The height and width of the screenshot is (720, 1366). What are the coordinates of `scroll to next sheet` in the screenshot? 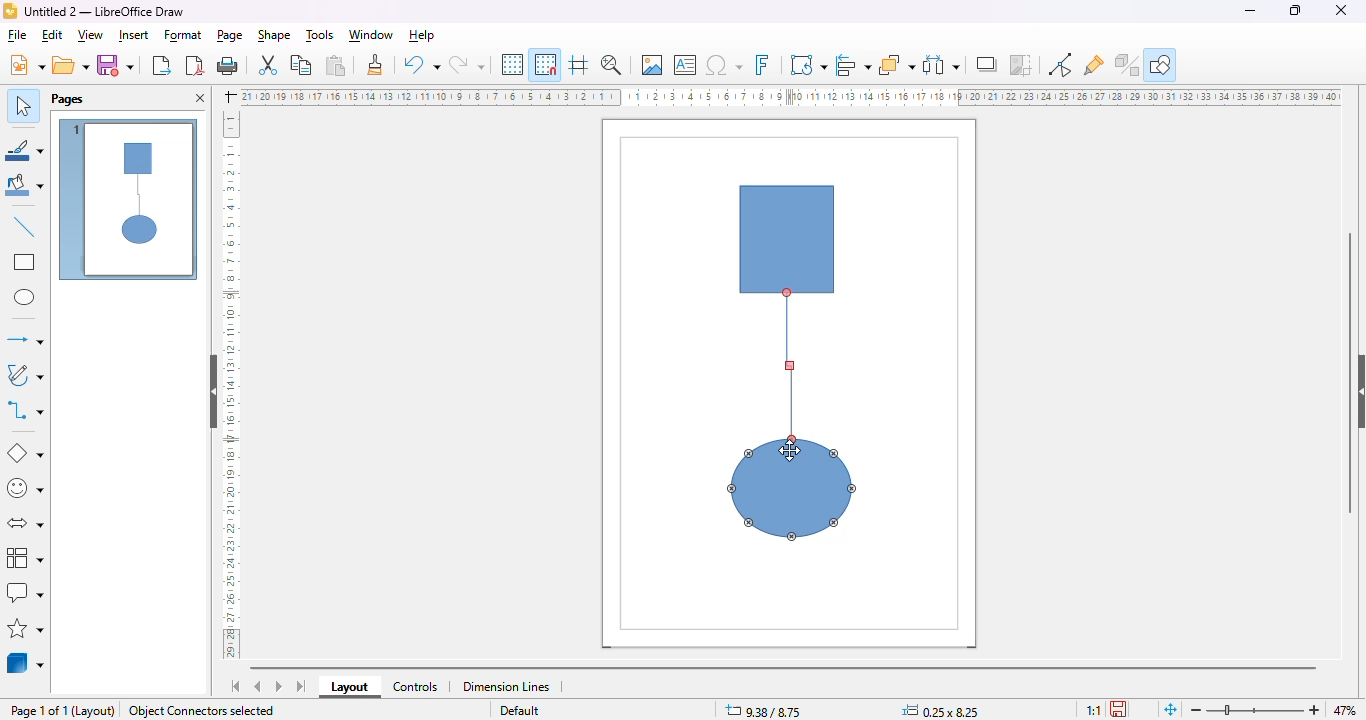 It's located at (279, 686).